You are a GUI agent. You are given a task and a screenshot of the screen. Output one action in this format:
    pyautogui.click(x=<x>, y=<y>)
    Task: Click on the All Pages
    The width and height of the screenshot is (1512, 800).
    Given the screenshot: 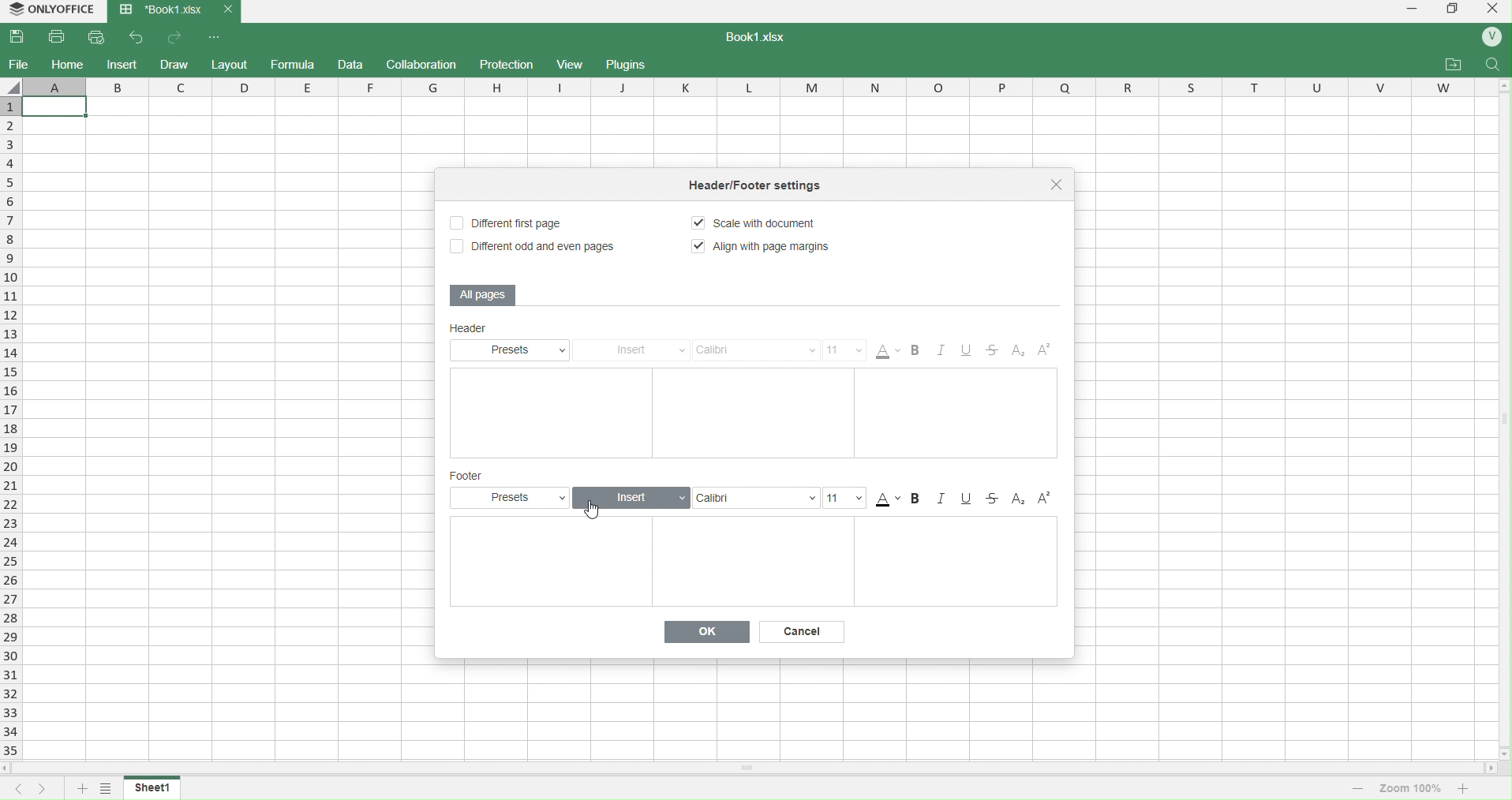 What is the action you would take?
    pyautogui.click(x=485, y=294)
    